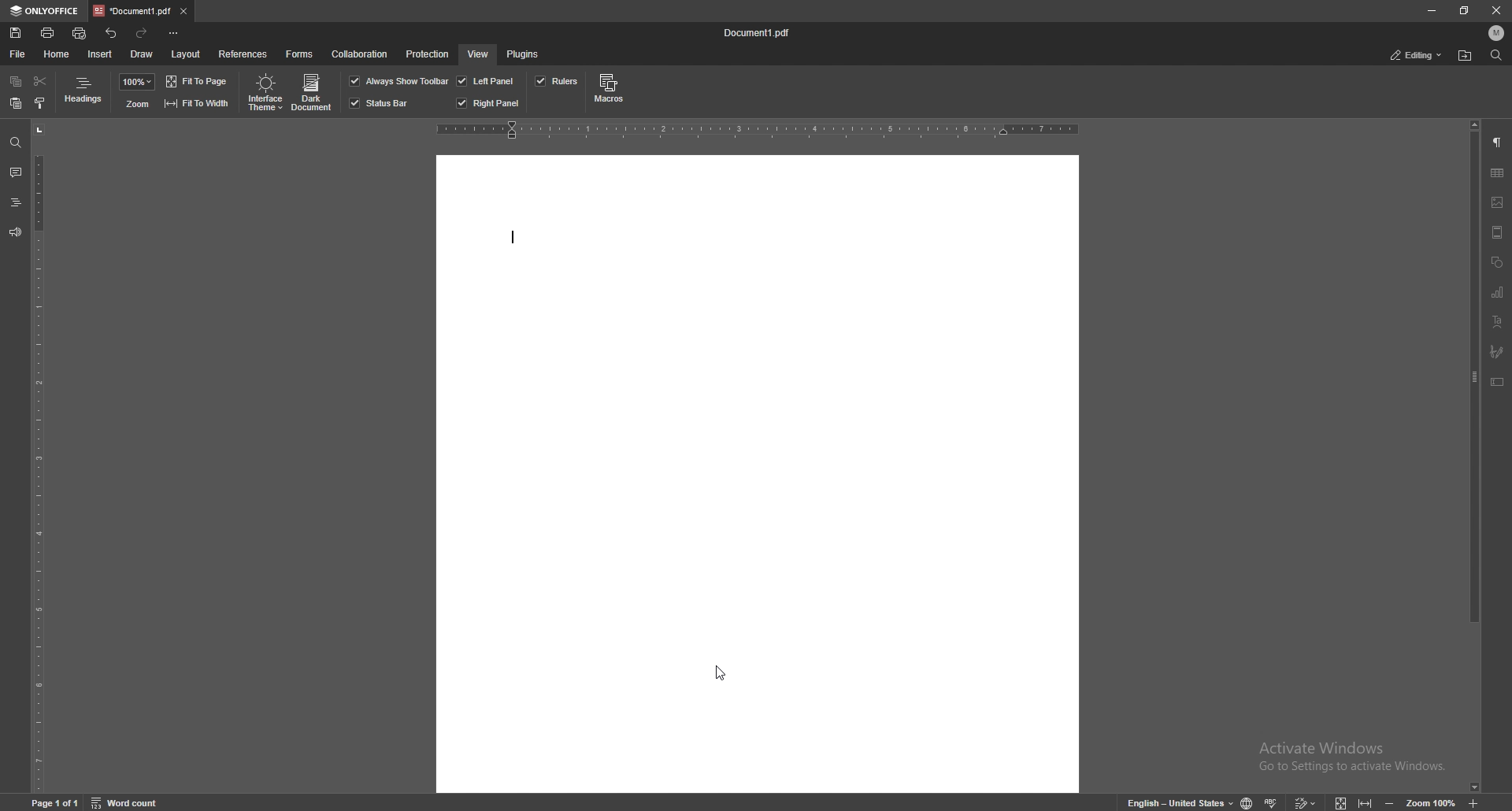 This screenshot has width=1512, height=811. Describe the element at coordinates (1307, 802) in the screenshot. I see `track changes` at that location.